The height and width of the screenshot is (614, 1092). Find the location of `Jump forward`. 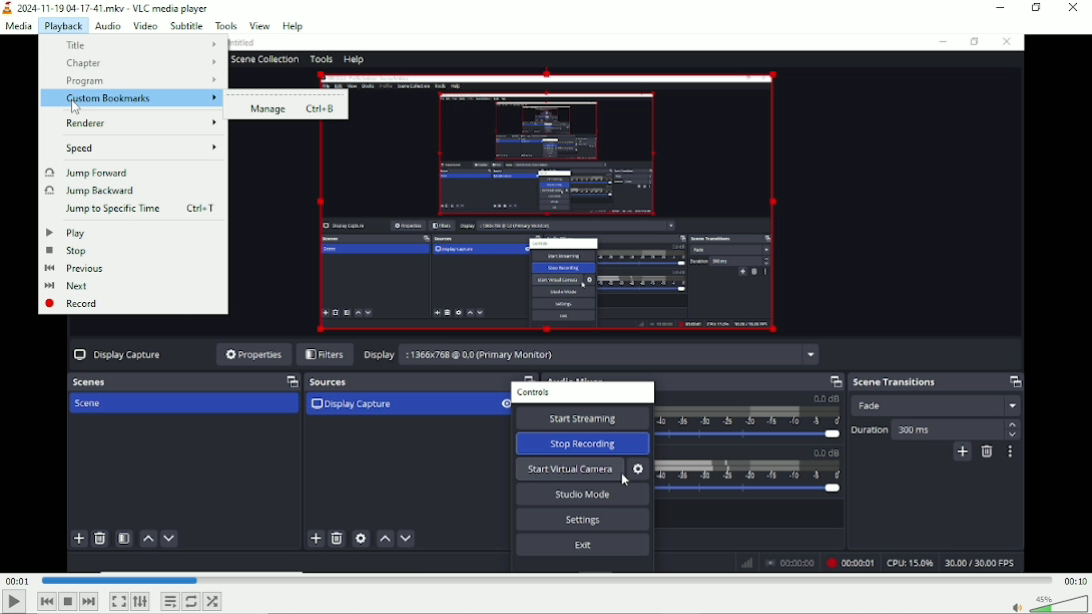

Jump forward is located at coordinates (86, 172).